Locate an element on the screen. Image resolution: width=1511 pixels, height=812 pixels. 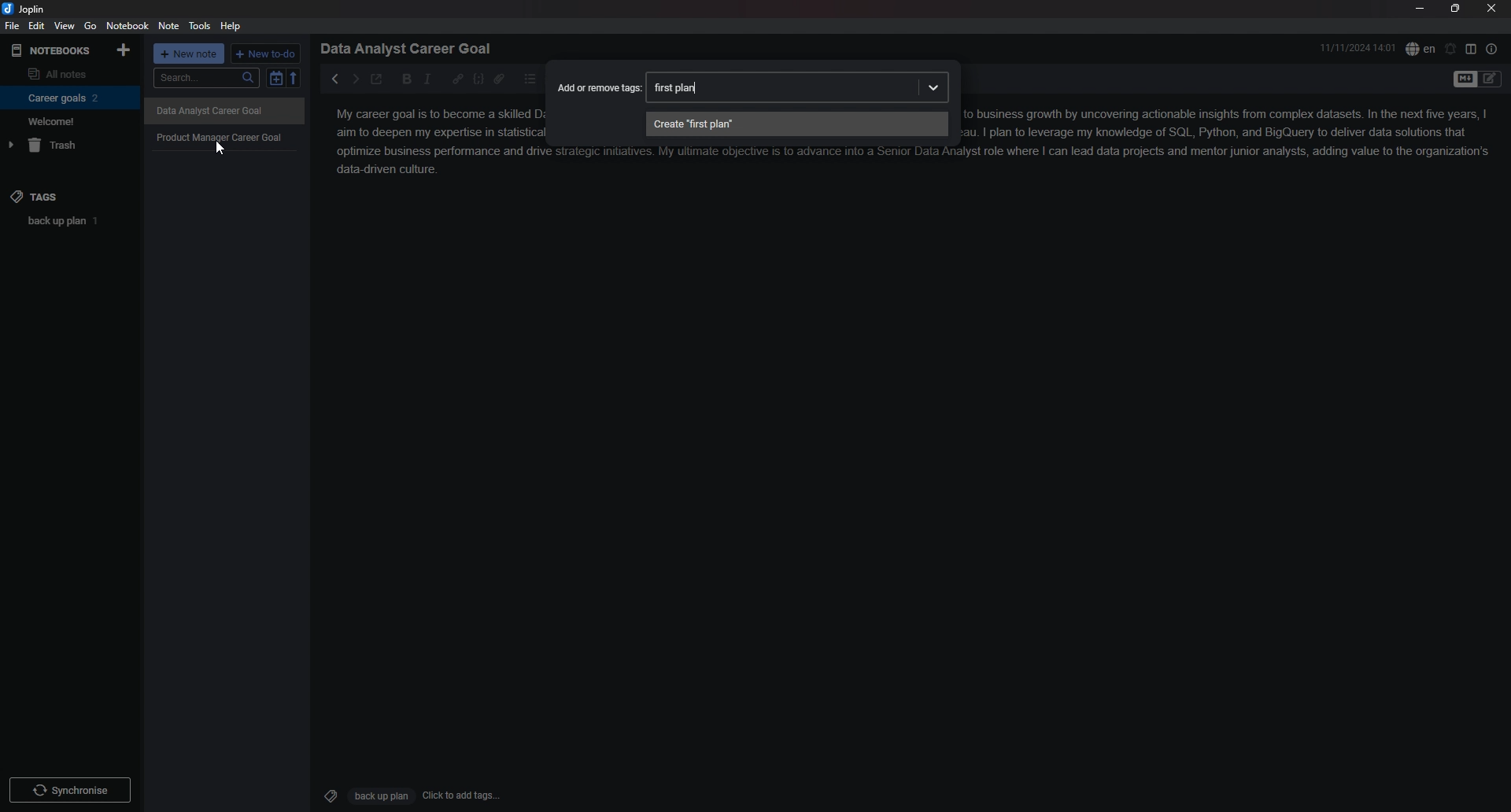
joplin is located at coordinates (25, 9).